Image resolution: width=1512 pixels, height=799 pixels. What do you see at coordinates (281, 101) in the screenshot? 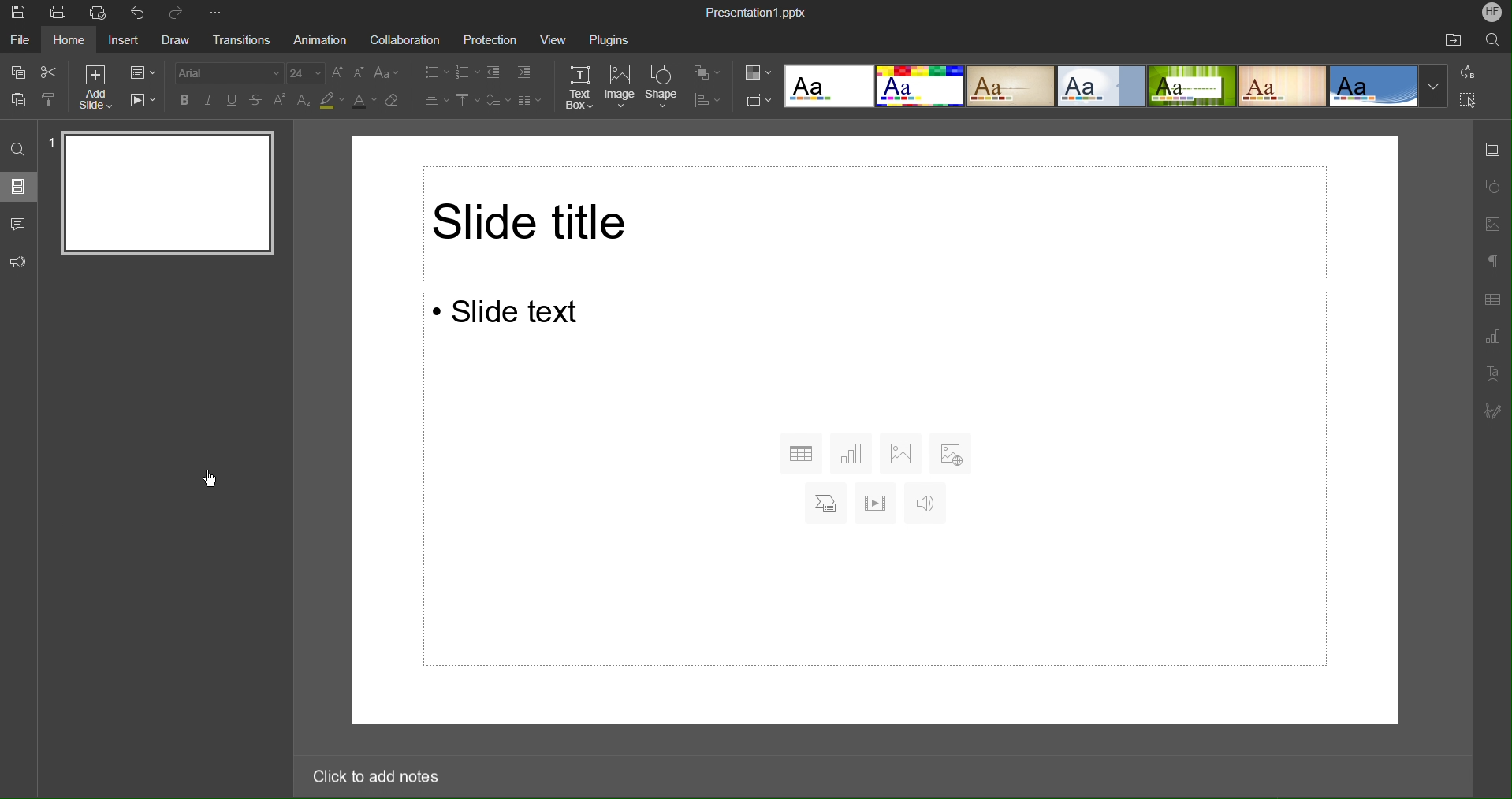
I see `superscript` at bounding box center [281, 101].